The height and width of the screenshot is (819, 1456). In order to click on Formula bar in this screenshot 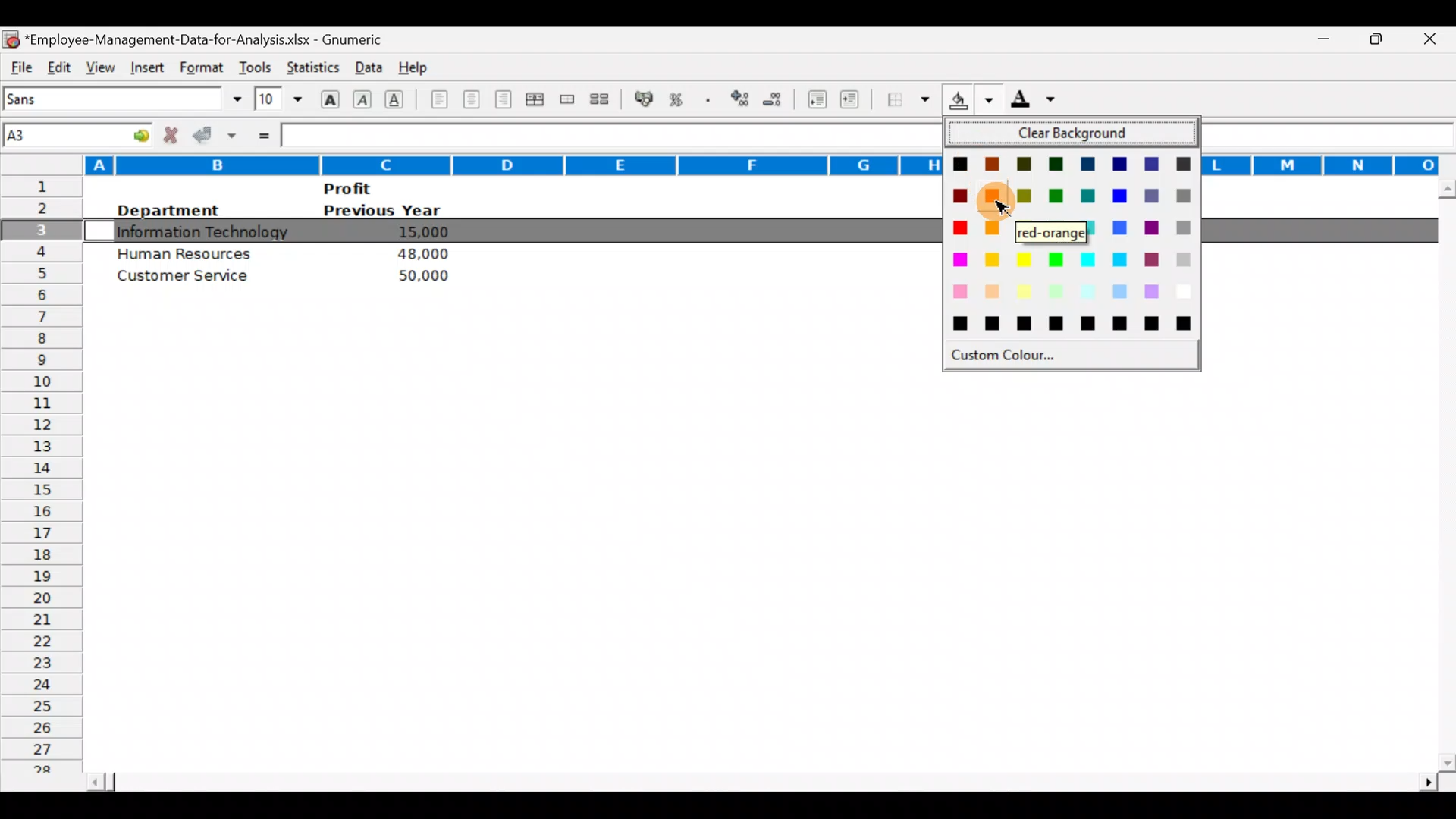, I will do `click(604, 135)`.